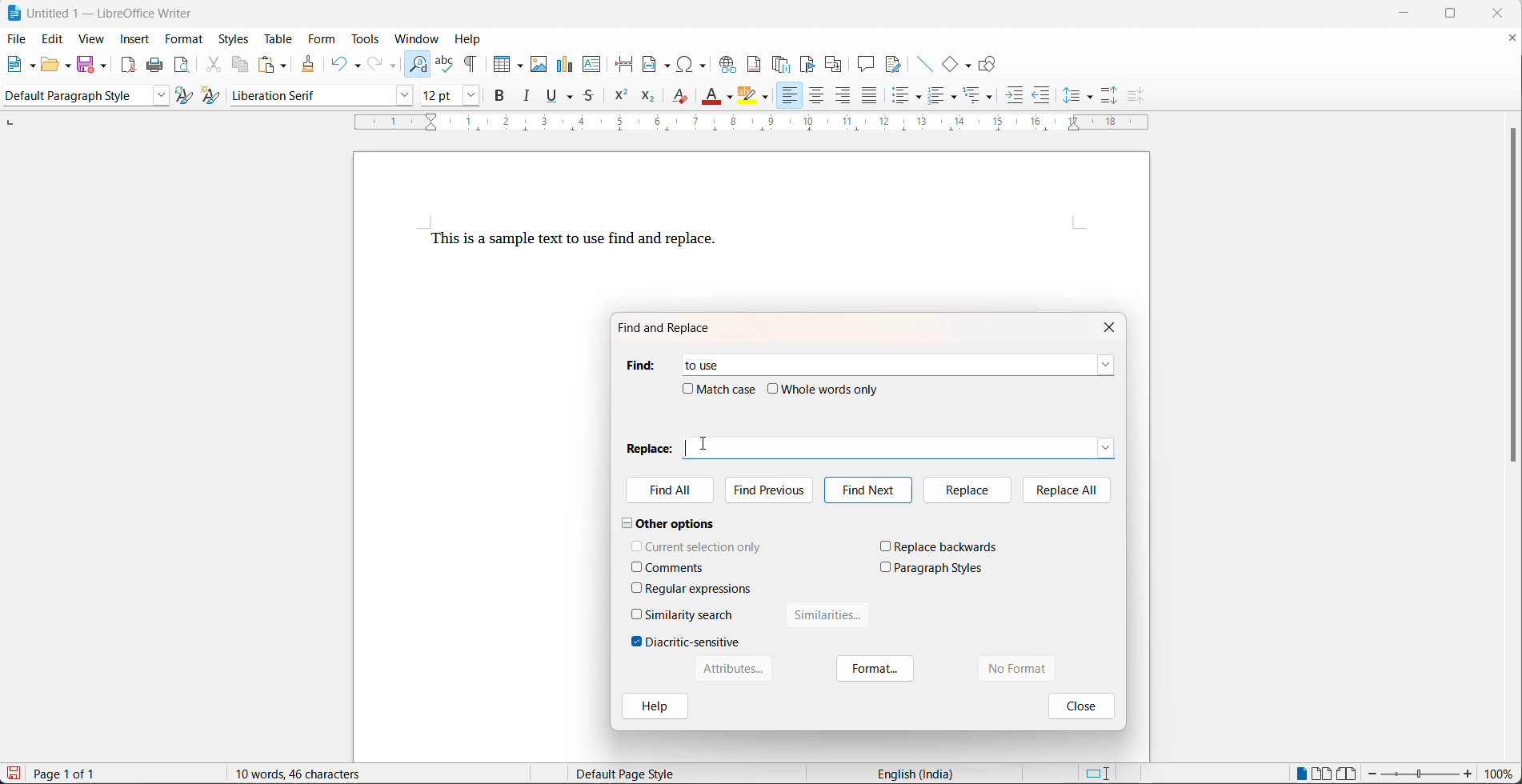  Describe the element at coordinates (54, 40) in the screenshot. I see `edit` at that location.